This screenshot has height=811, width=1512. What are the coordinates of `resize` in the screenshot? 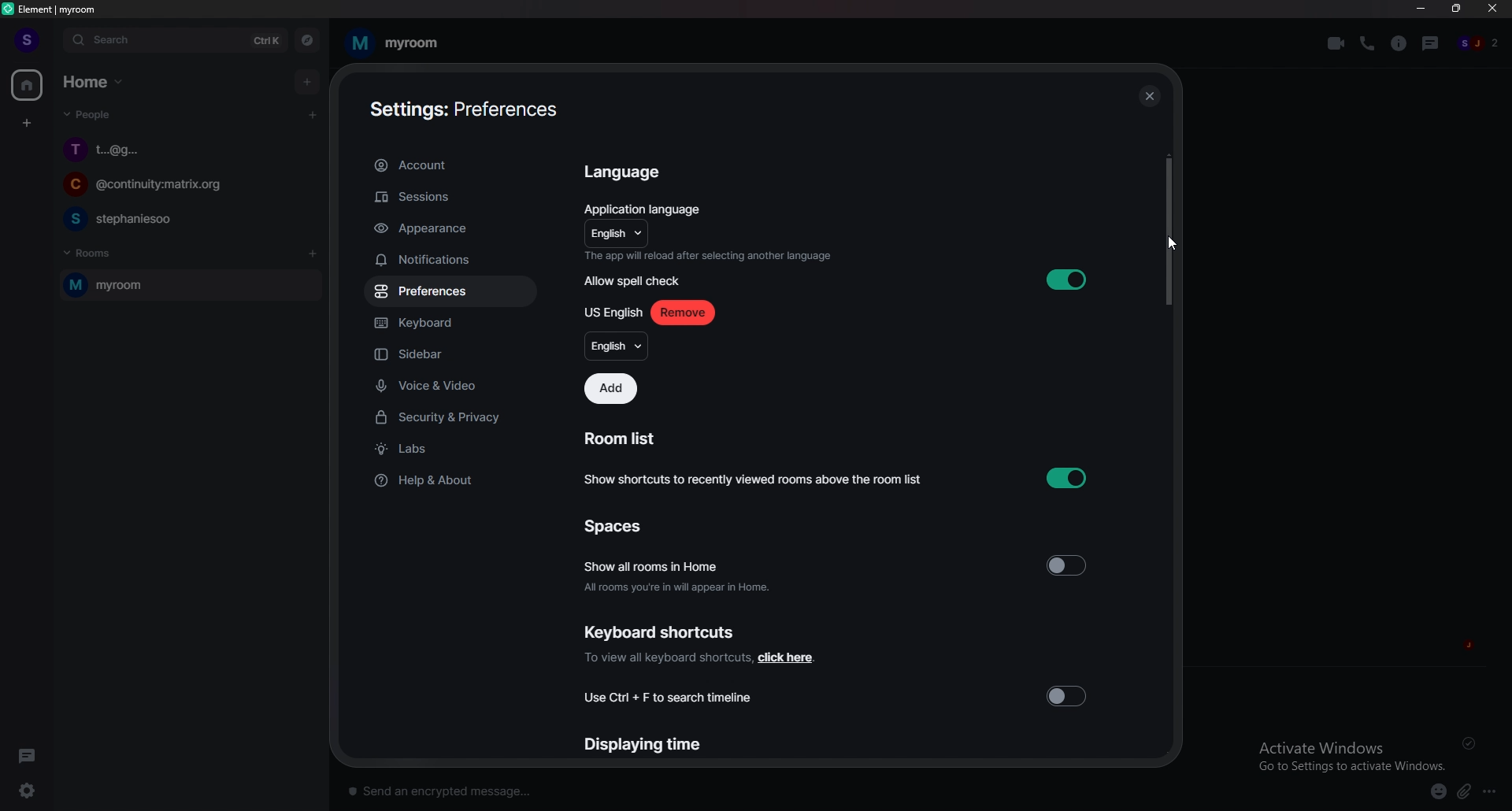 It's located at (1458, 9).